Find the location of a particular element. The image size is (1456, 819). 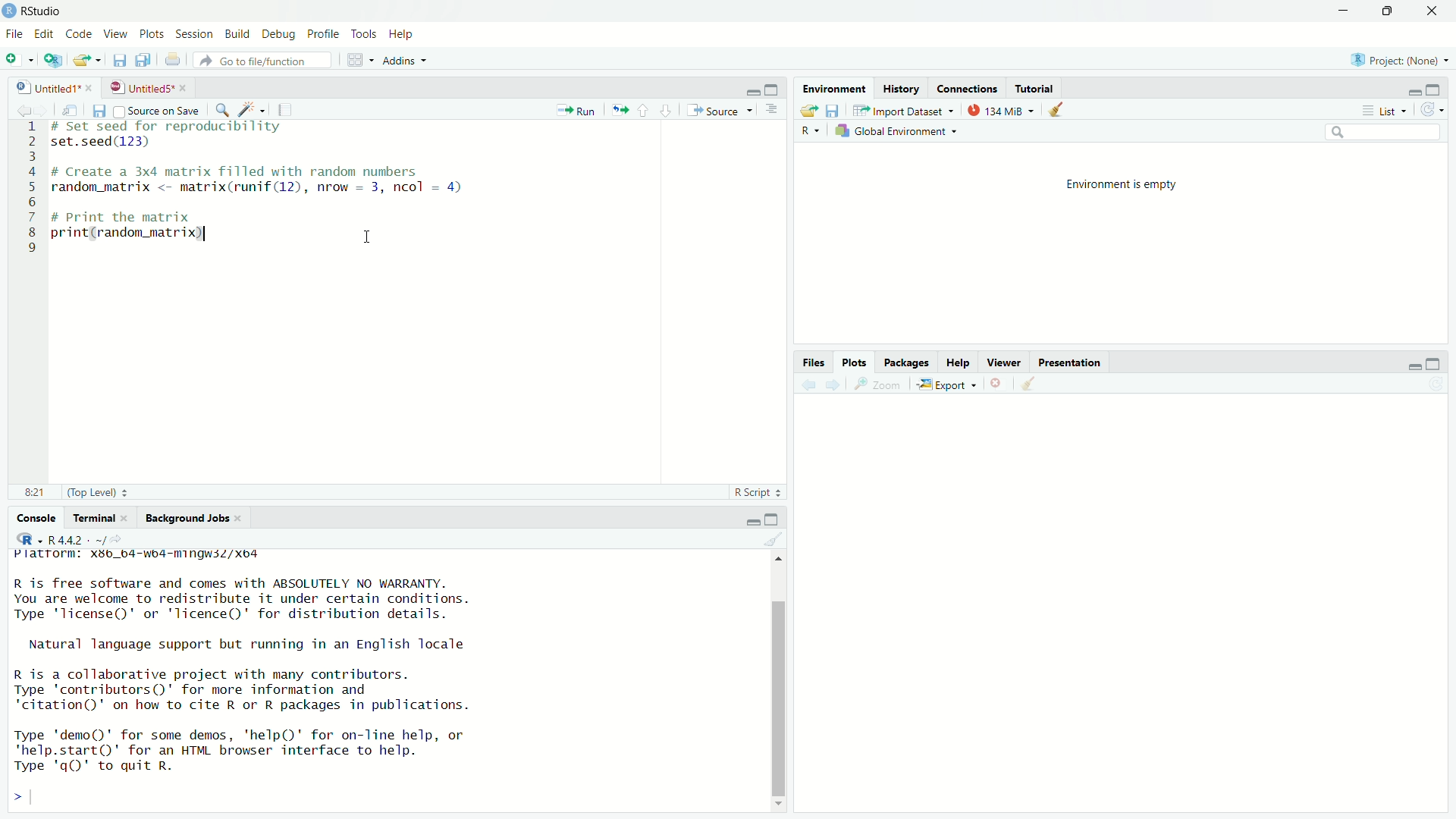

options is located at coordinates (771, 111).